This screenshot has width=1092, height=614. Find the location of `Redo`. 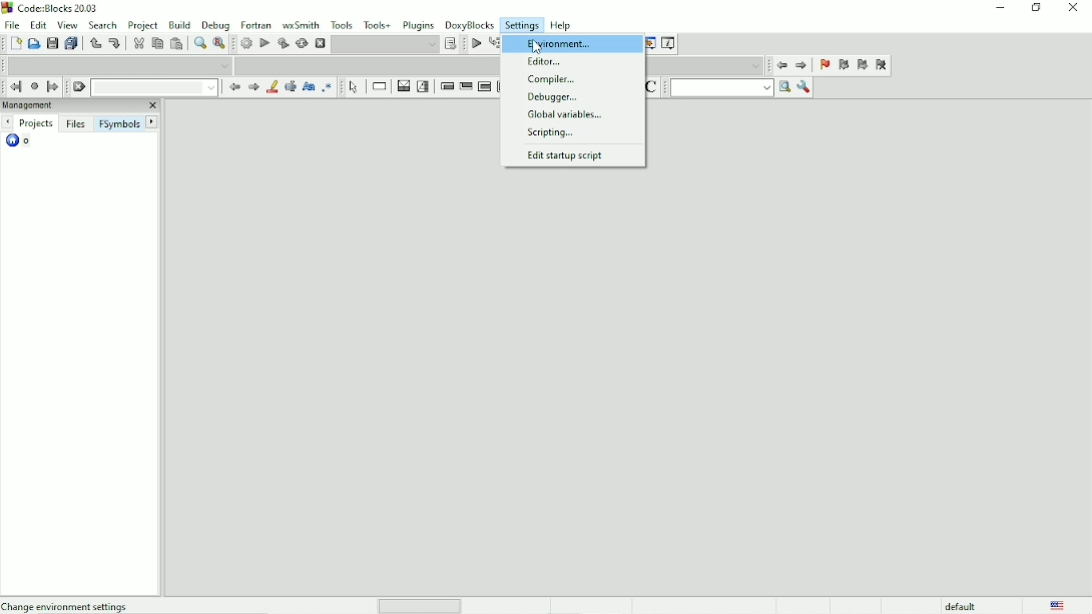

Redo is located at coordinates (115, 43).